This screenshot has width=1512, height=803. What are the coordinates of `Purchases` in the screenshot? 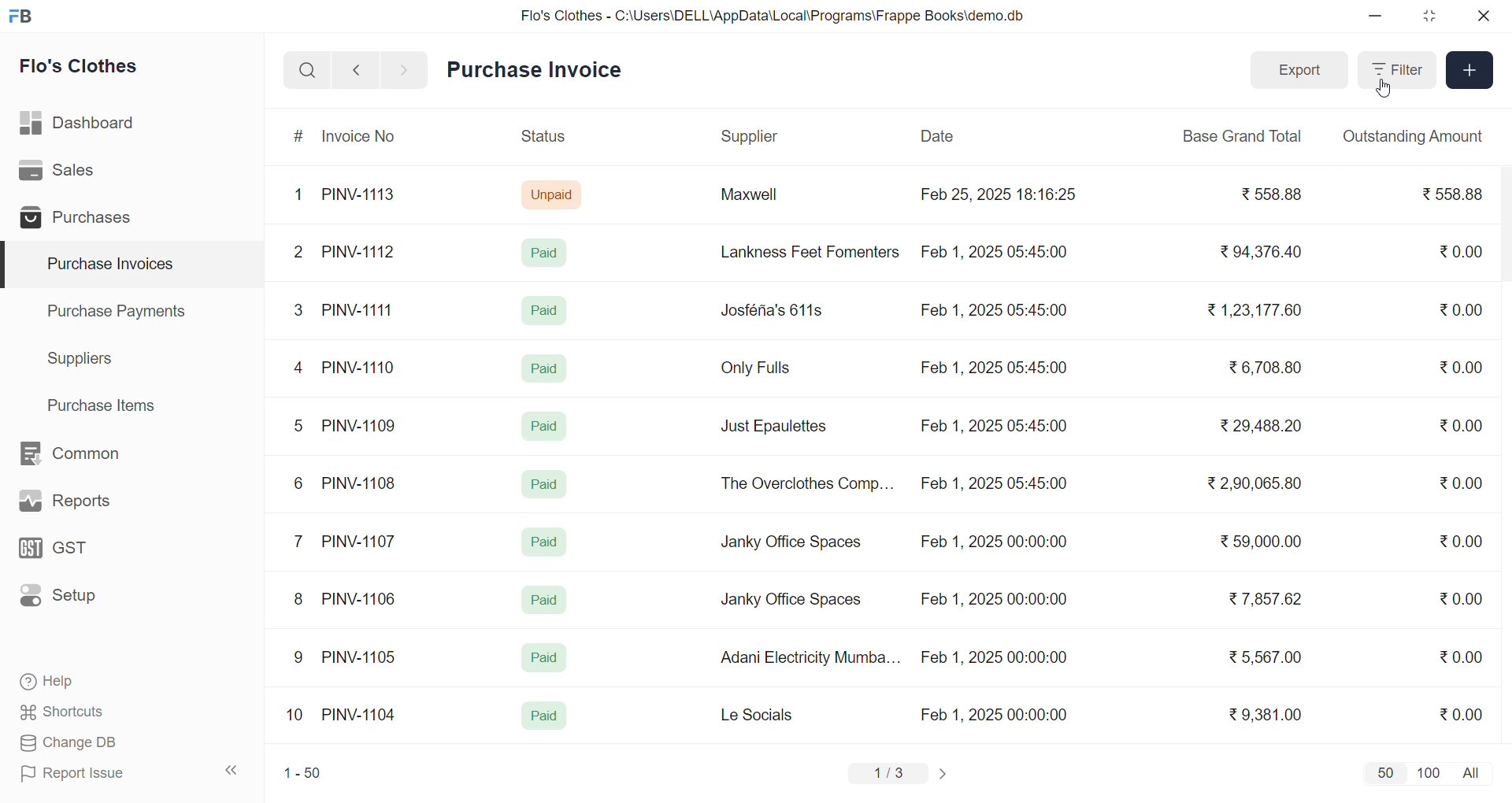 It's located at (81, 220).